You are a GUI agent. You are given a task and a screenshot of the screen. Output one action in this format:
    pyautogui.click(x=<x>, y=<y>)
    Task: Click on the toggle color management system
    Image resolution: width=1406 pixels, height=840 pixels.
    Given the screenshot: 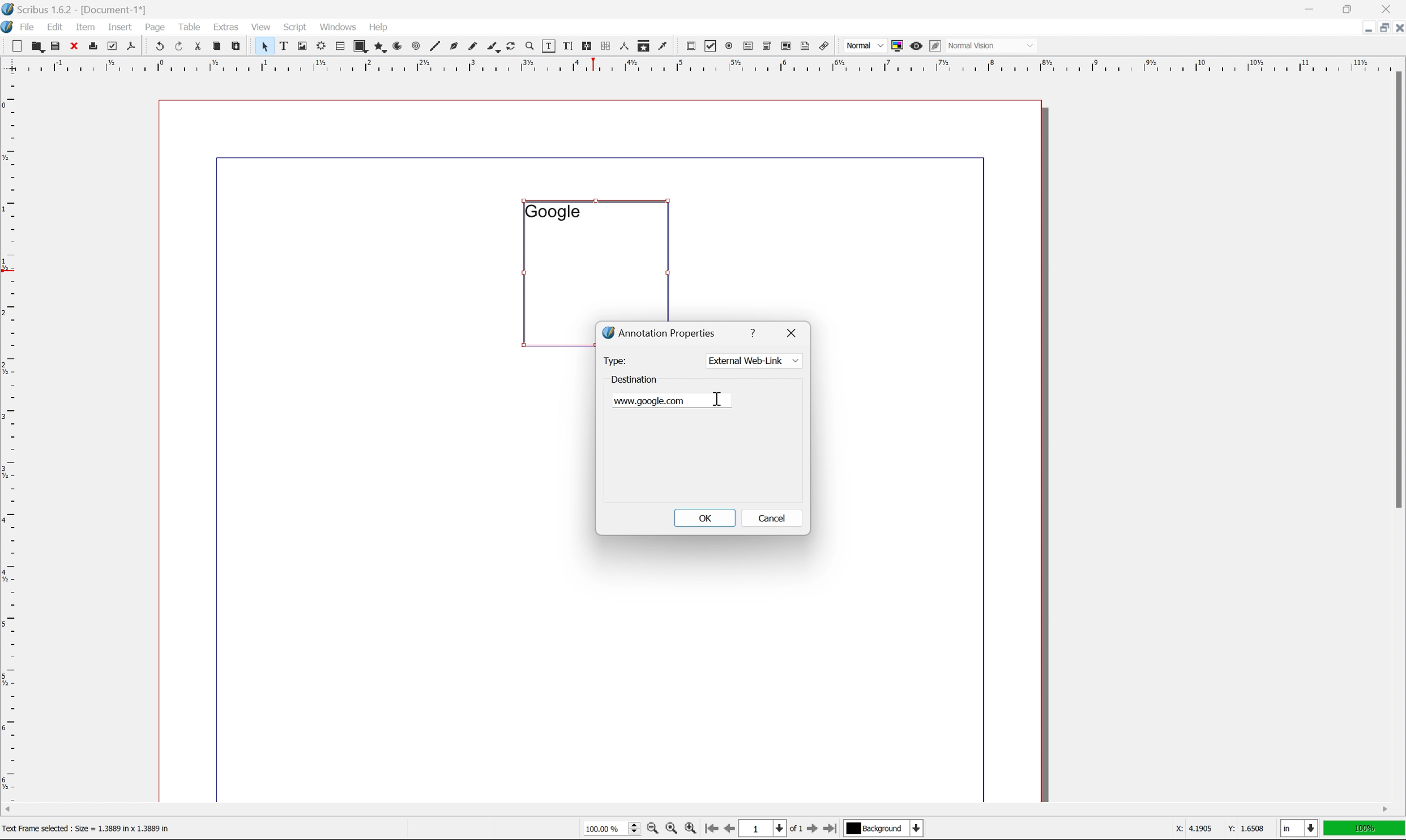 What is the action you would take?
    pyautogui.click(x=895, y=45)
    